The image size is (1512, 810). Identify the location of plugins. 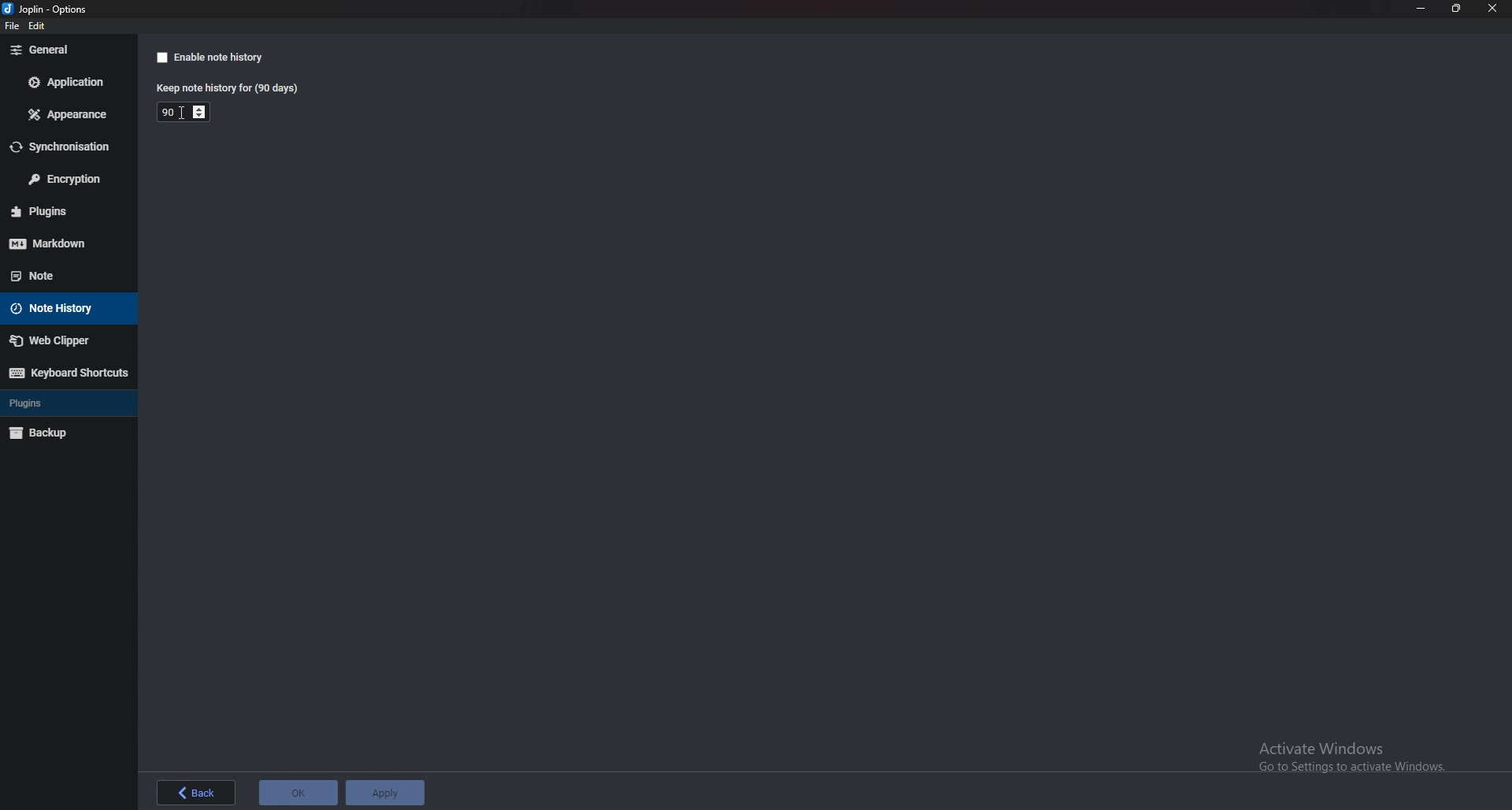
(65, 210).